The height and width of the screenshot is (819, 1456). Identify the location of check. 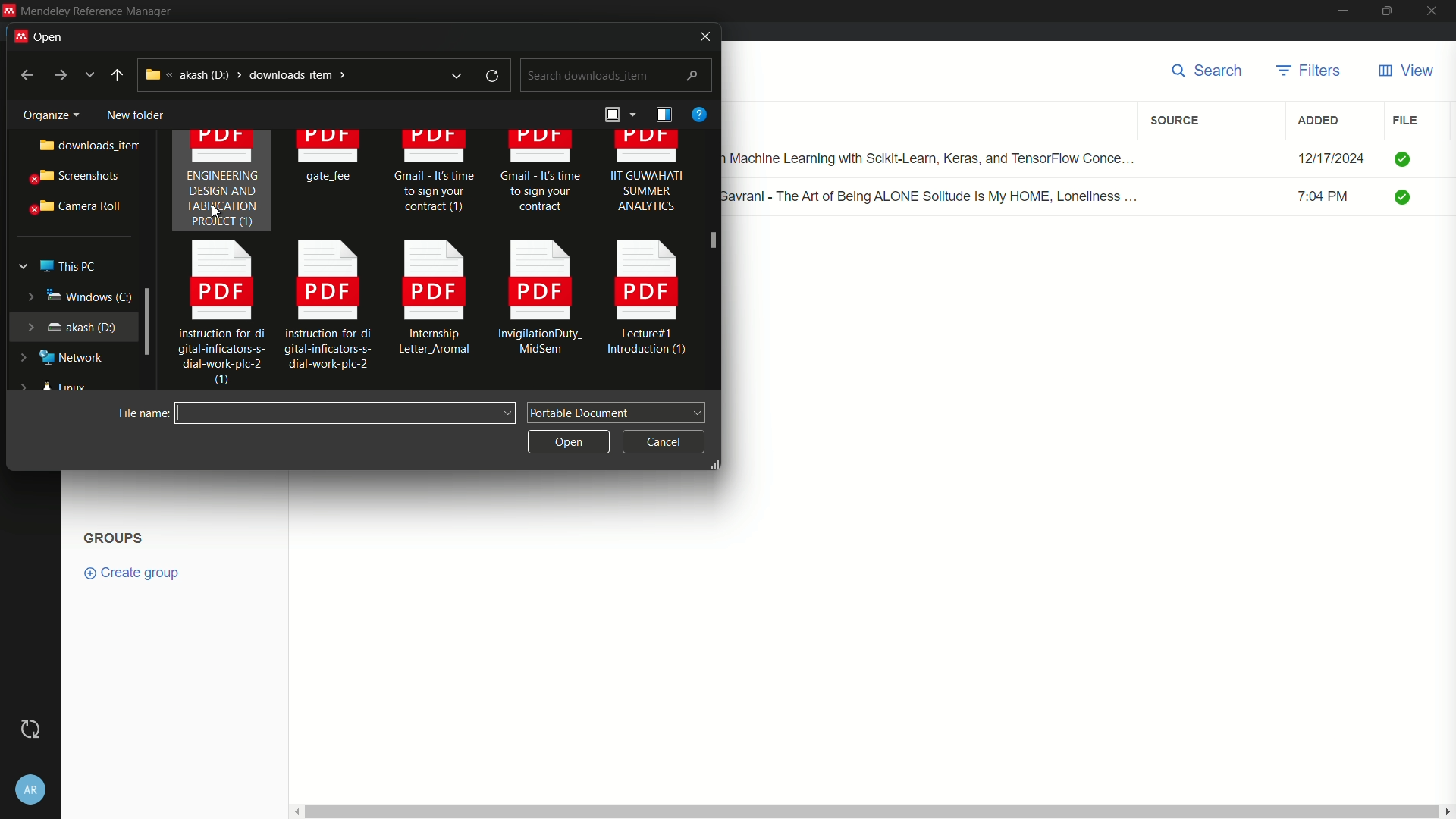
(1407, 199).